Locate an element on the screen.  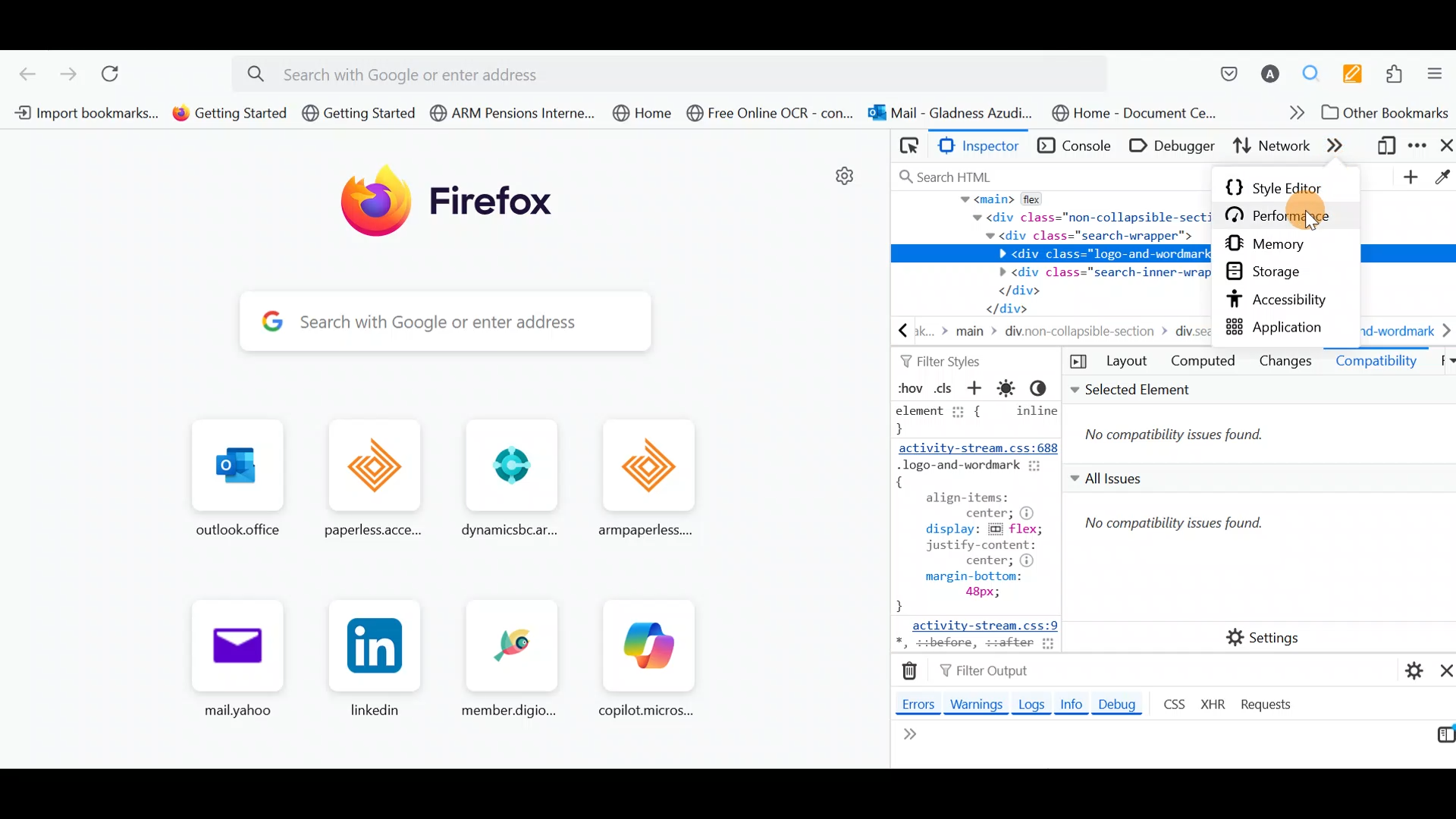
Debug is located at coordinates (1123, 704).